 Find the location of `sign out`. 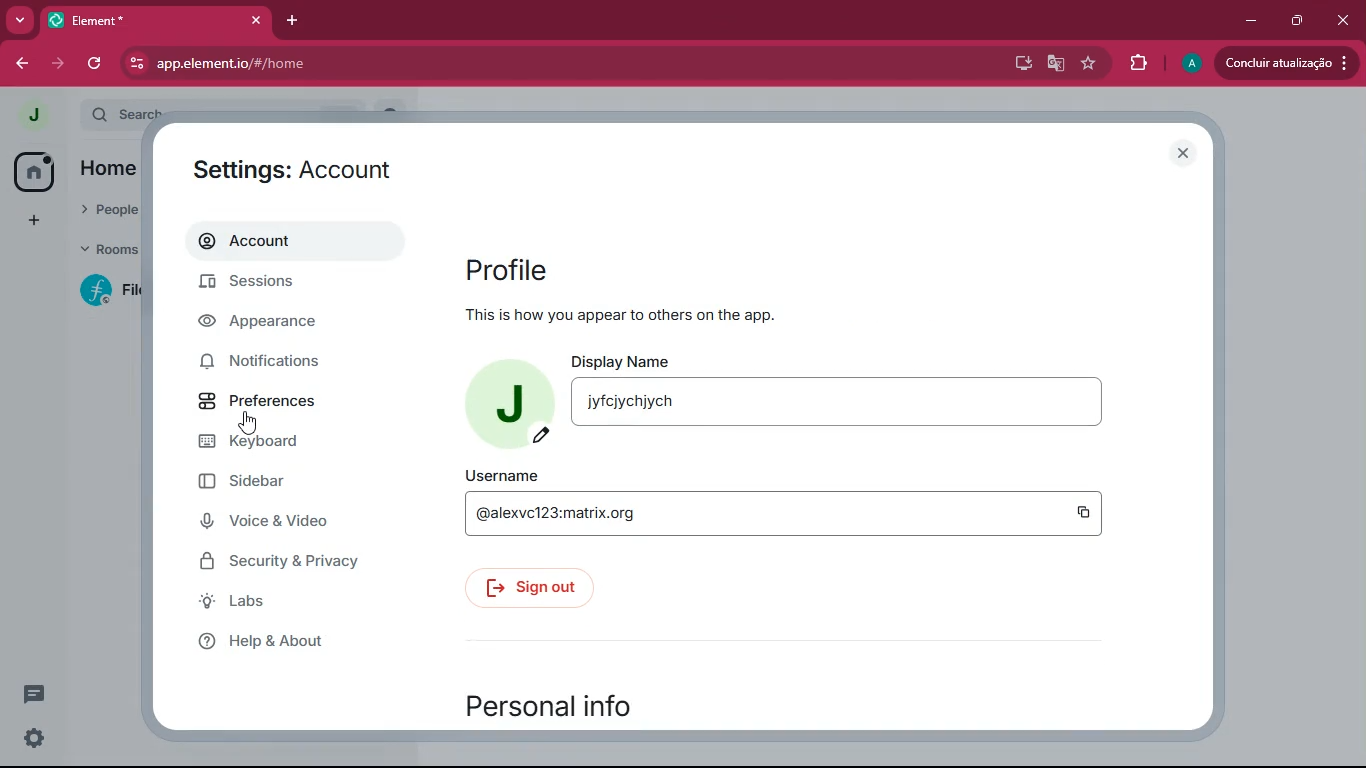

sign out is located at coordinates (528, 588).